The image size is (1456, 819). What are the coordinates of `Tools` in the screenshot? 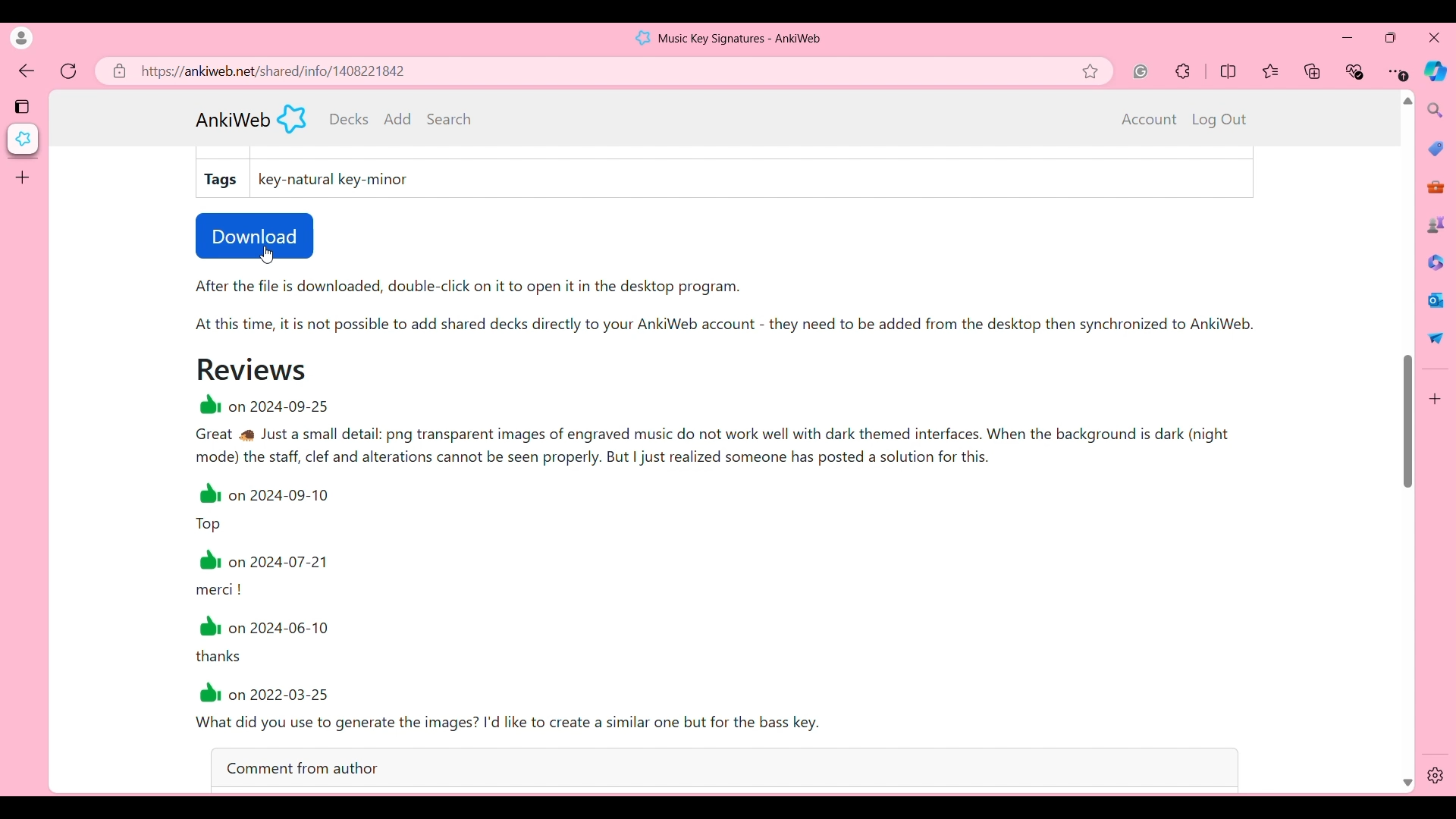 It's located at (1436, 187).